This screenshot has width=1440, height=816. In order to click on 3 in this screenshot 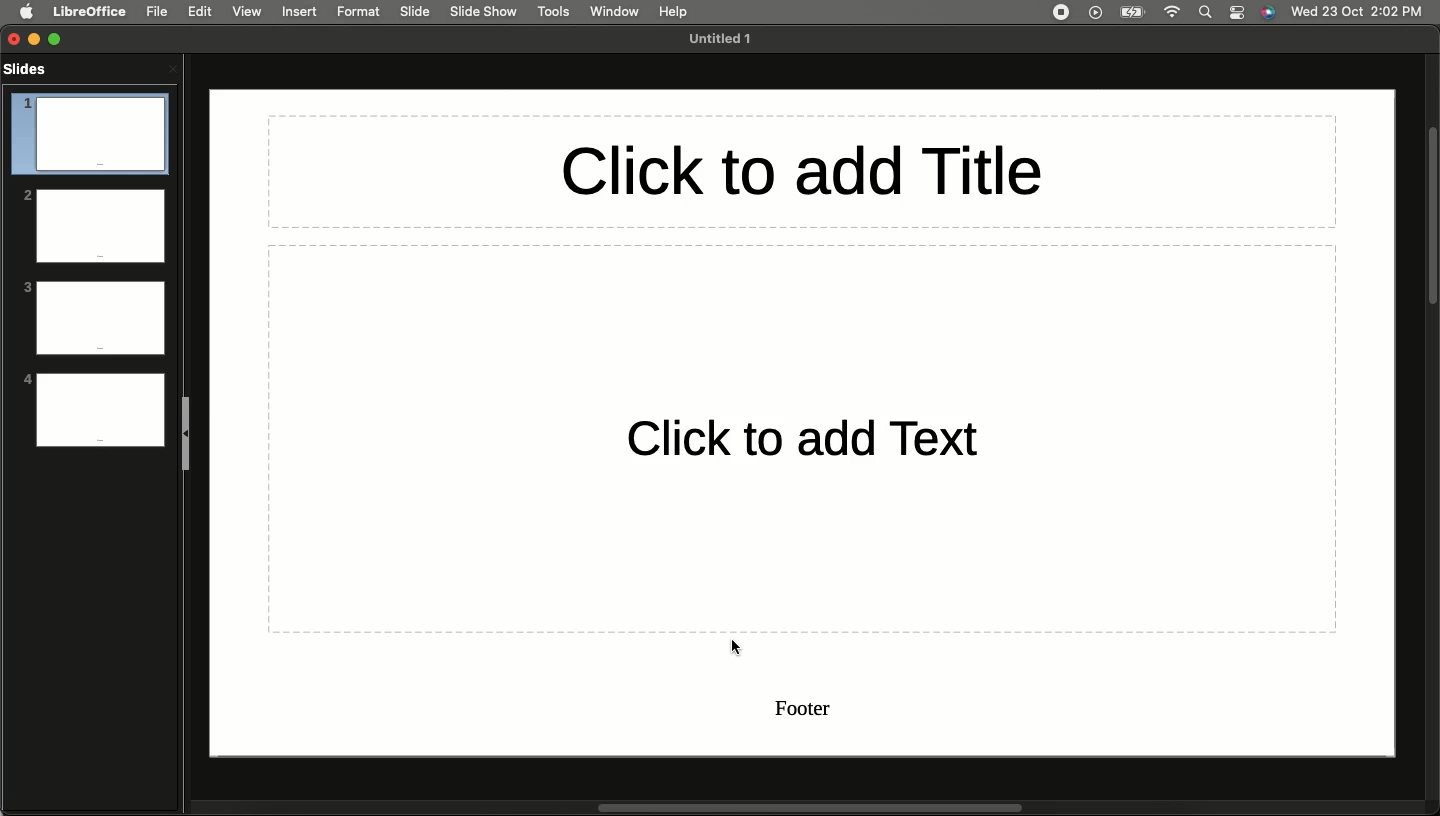, I will do `click(94, 307)`.